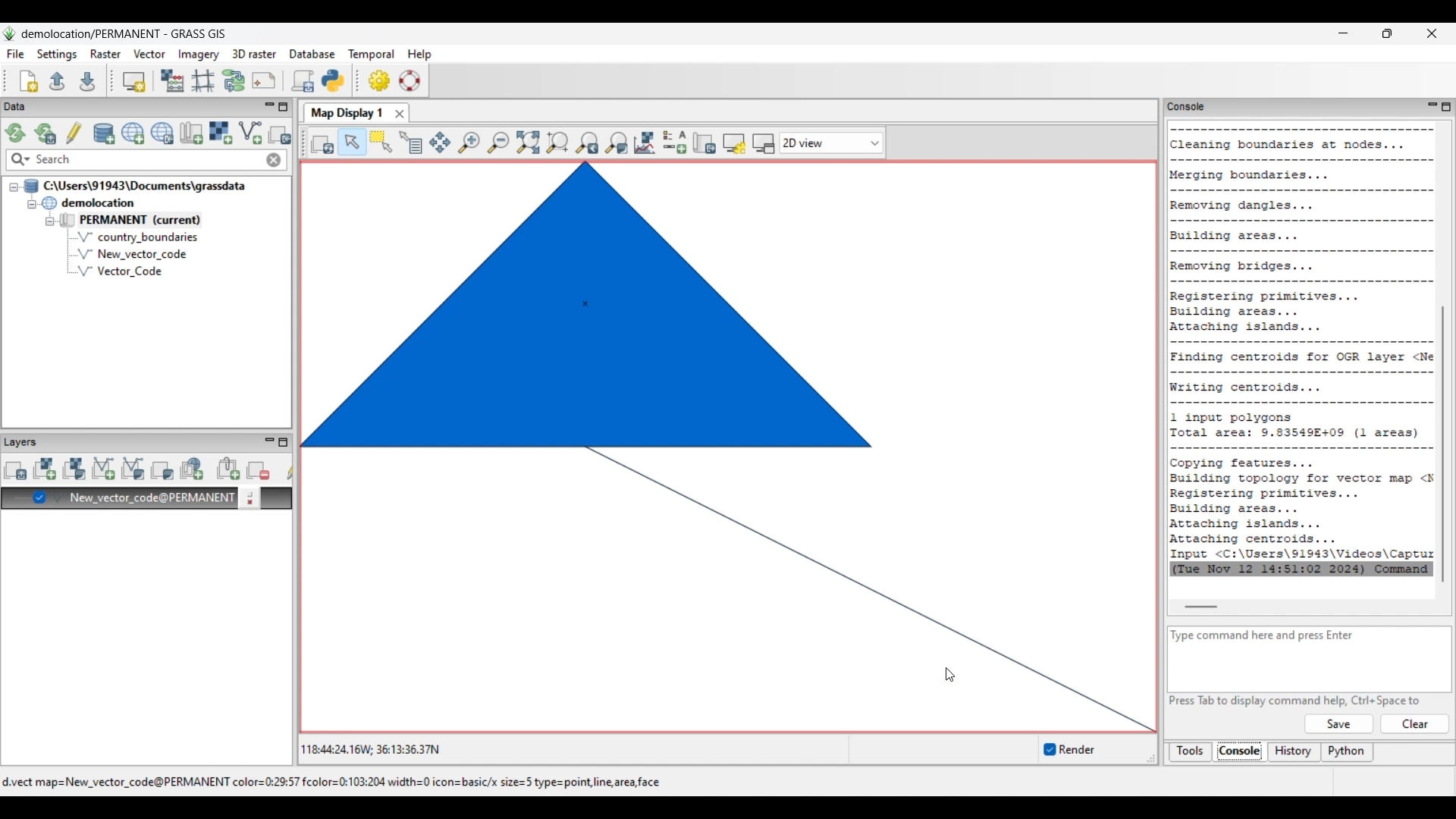 The height and width of the screenshot is (819, 1456). I want to click on GUI settings, so click(380, 80).